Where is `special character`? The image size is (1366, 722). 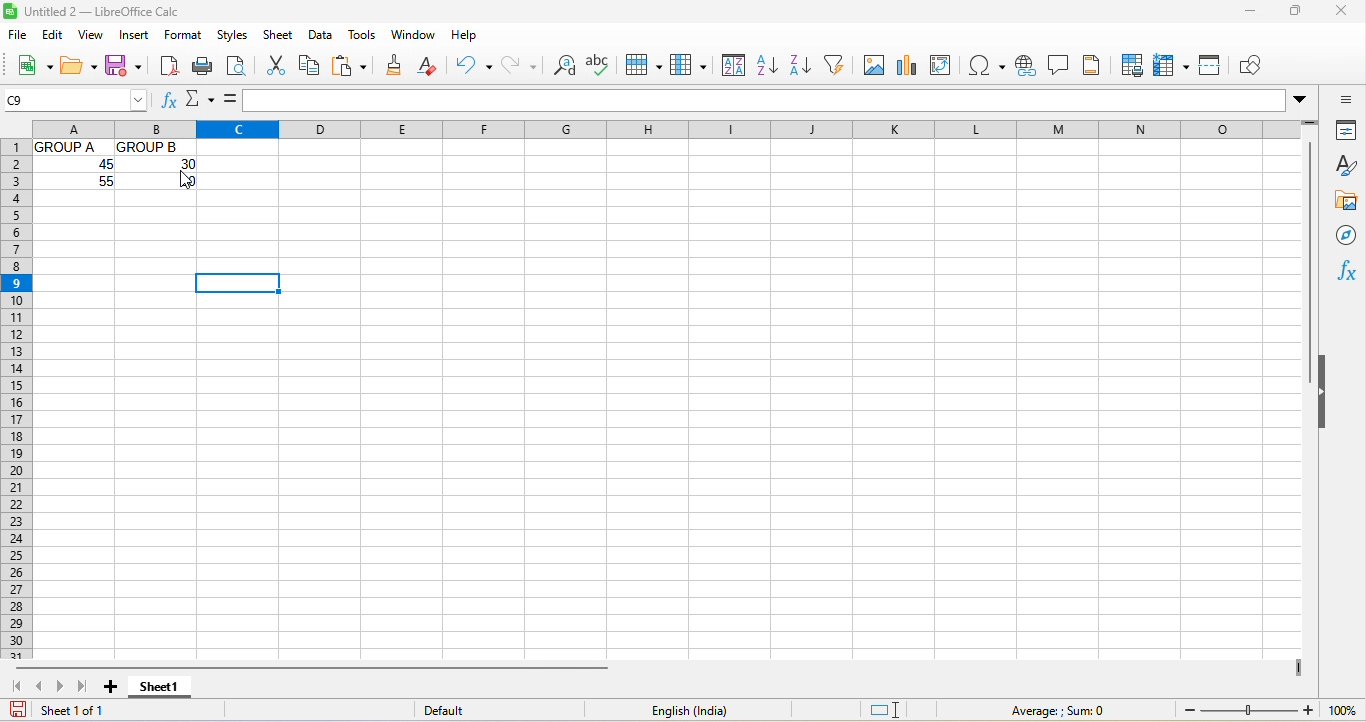 special character is located at coordinates (986, 65).